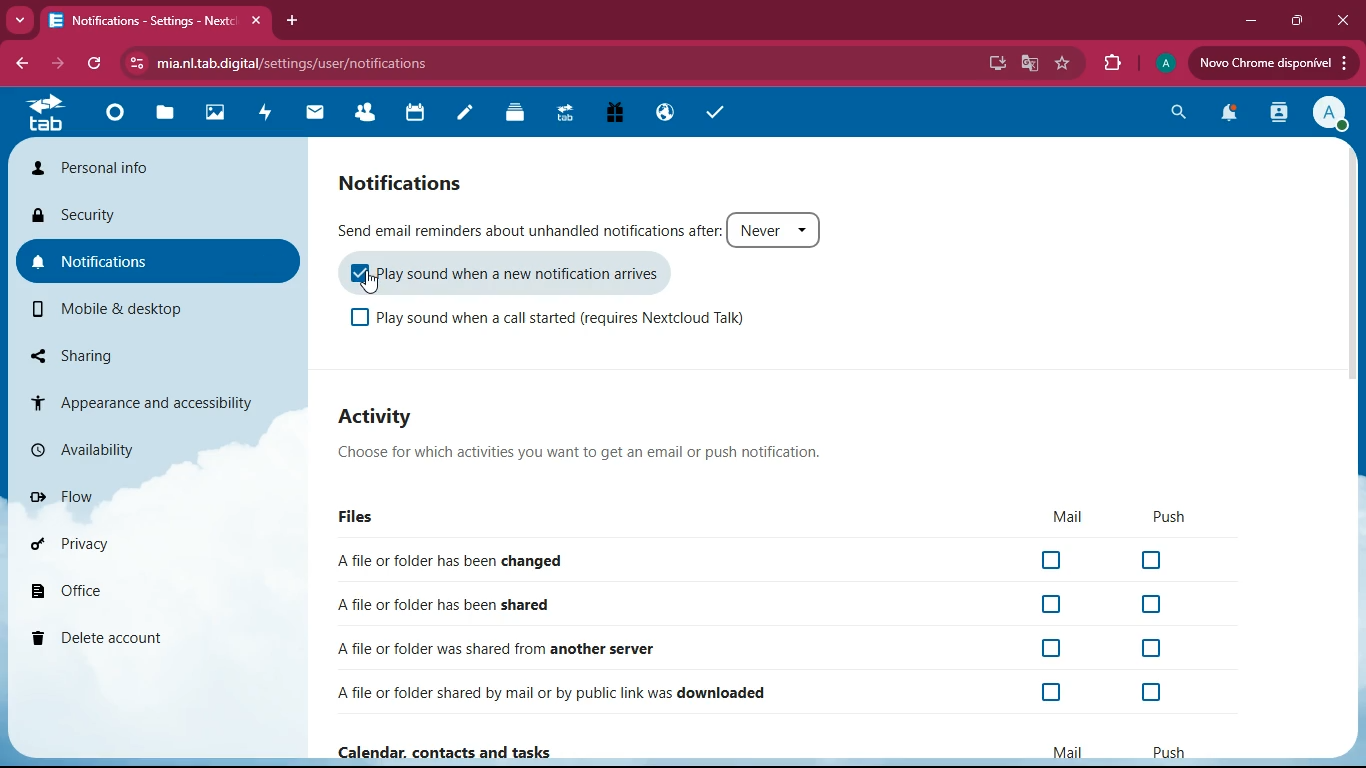 This screenshot has height=768, width=1366. What do you see at coordinates (528, 227) in the screenshot?
I see `send email` at bounding box center [528, 227].